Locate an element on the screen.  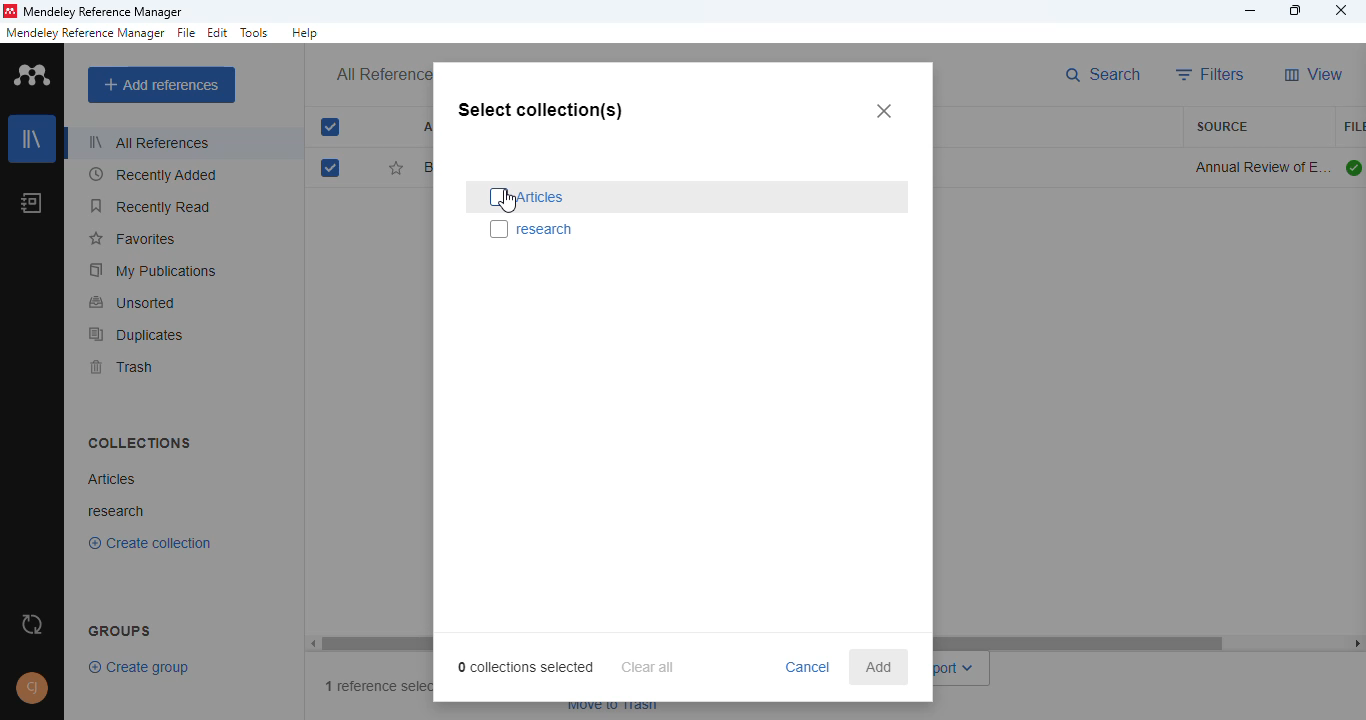
library is located at coordinates (31, 139).